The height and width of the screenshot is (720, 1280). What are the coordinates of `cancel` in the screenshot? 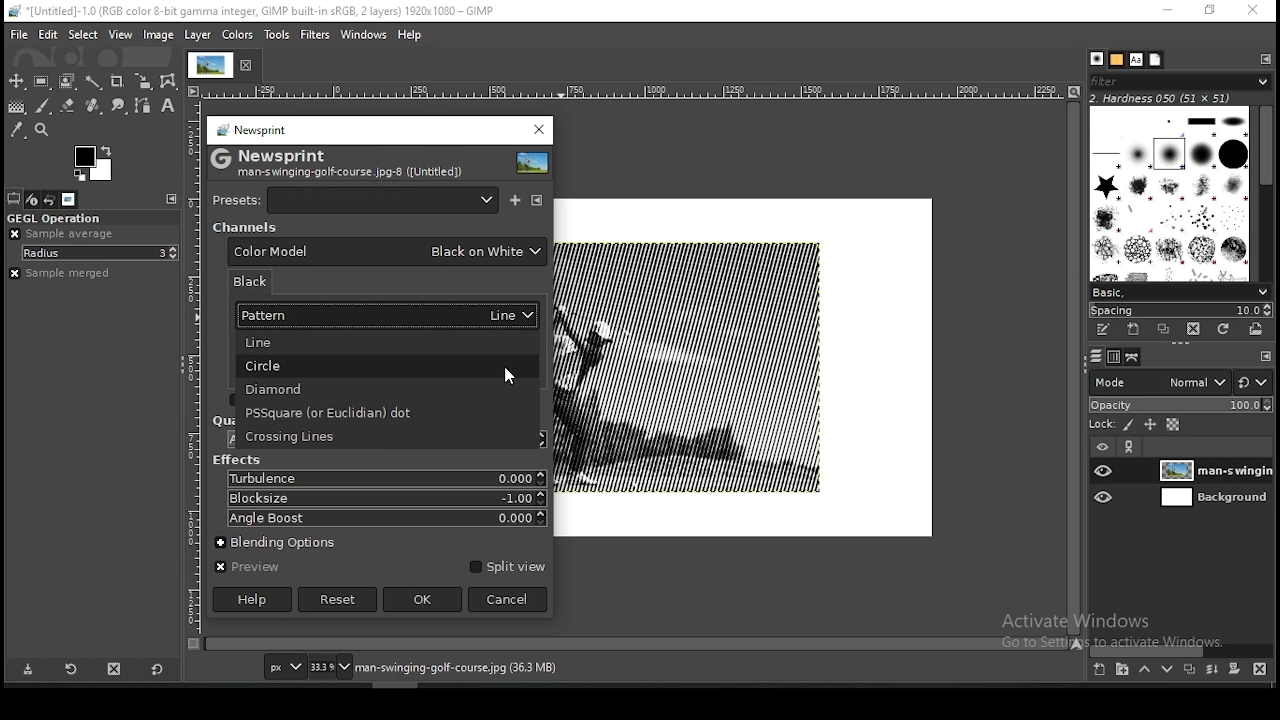 It's located at (508, 599).